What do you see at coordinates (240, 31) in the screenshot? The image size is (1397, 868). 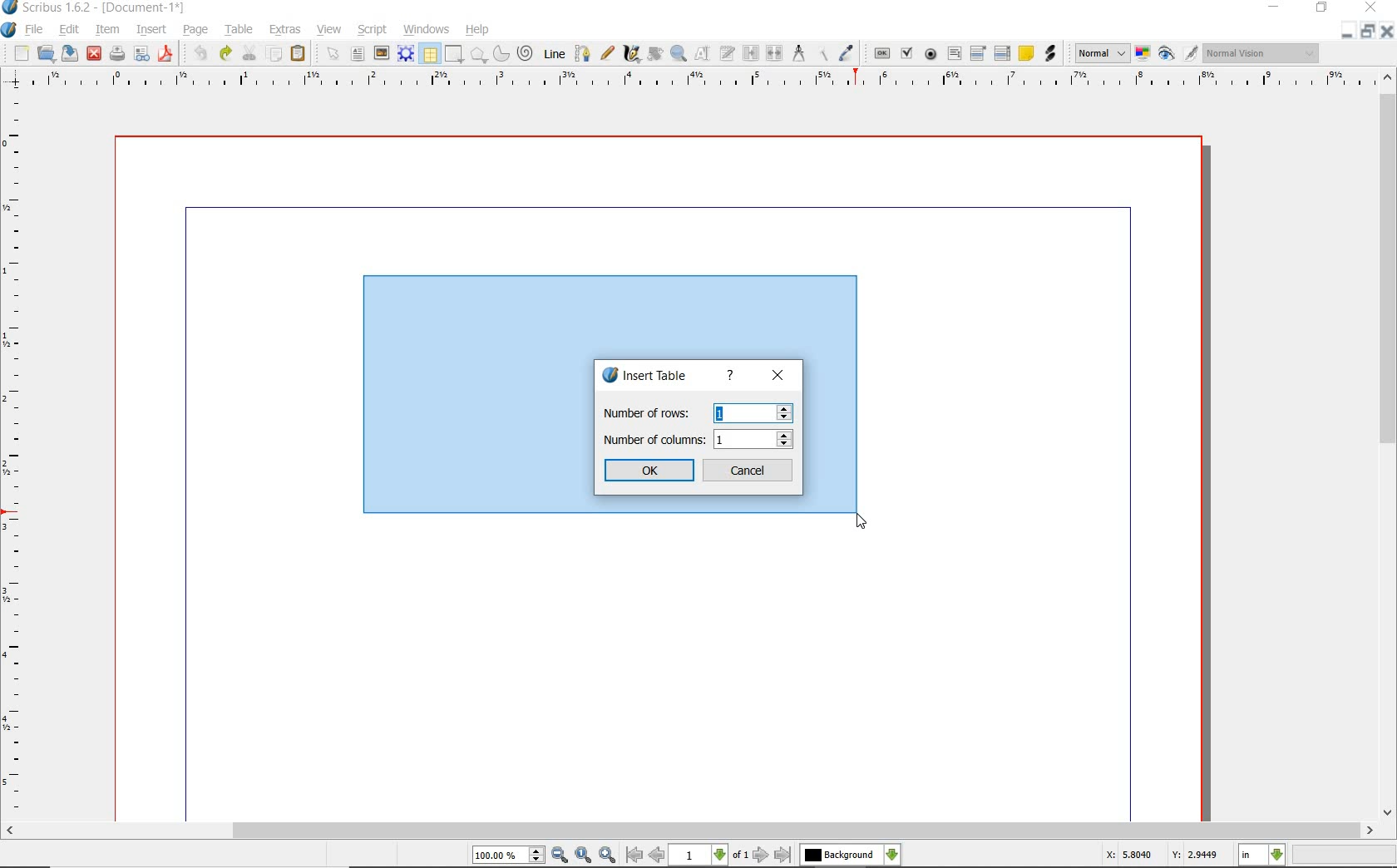 I see `table` at bounding box center [240, 31].